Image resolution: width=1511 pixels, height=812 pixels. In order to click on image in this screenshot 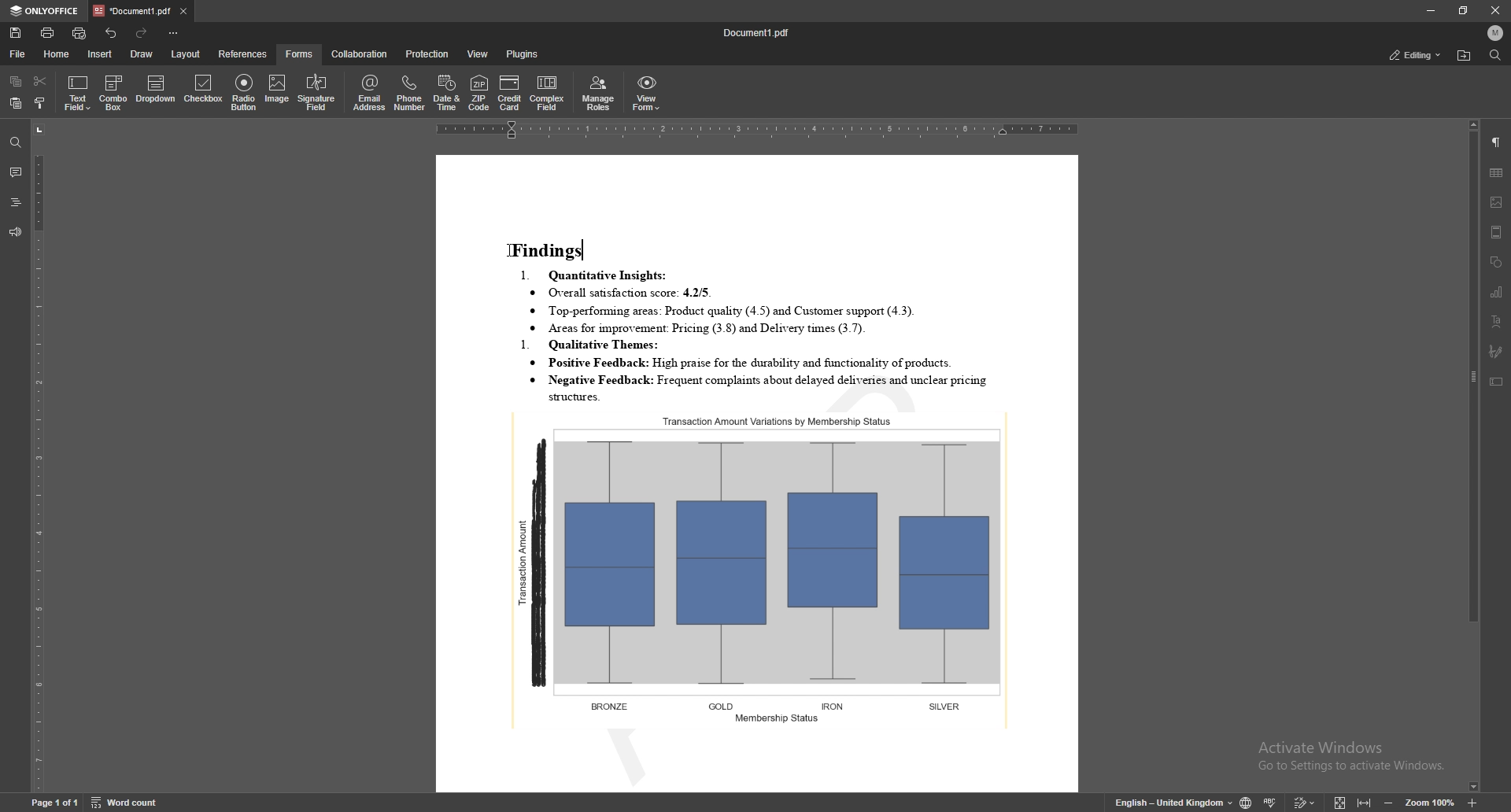, I will do `click(1496, 202)`.